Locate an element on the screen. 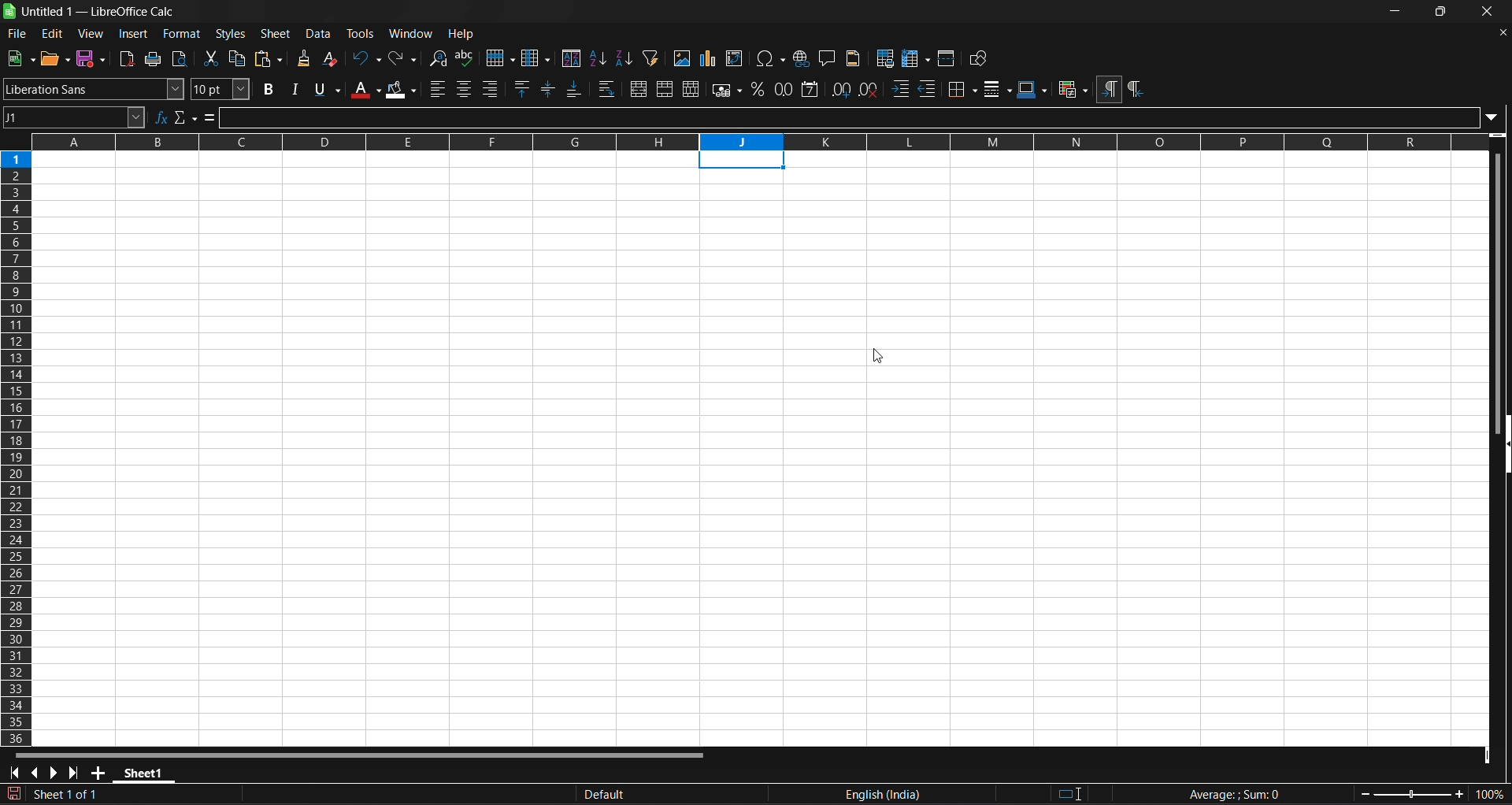 The width and height of the screenshot is (1512, 805). select function is located at coordinates (187, 117).